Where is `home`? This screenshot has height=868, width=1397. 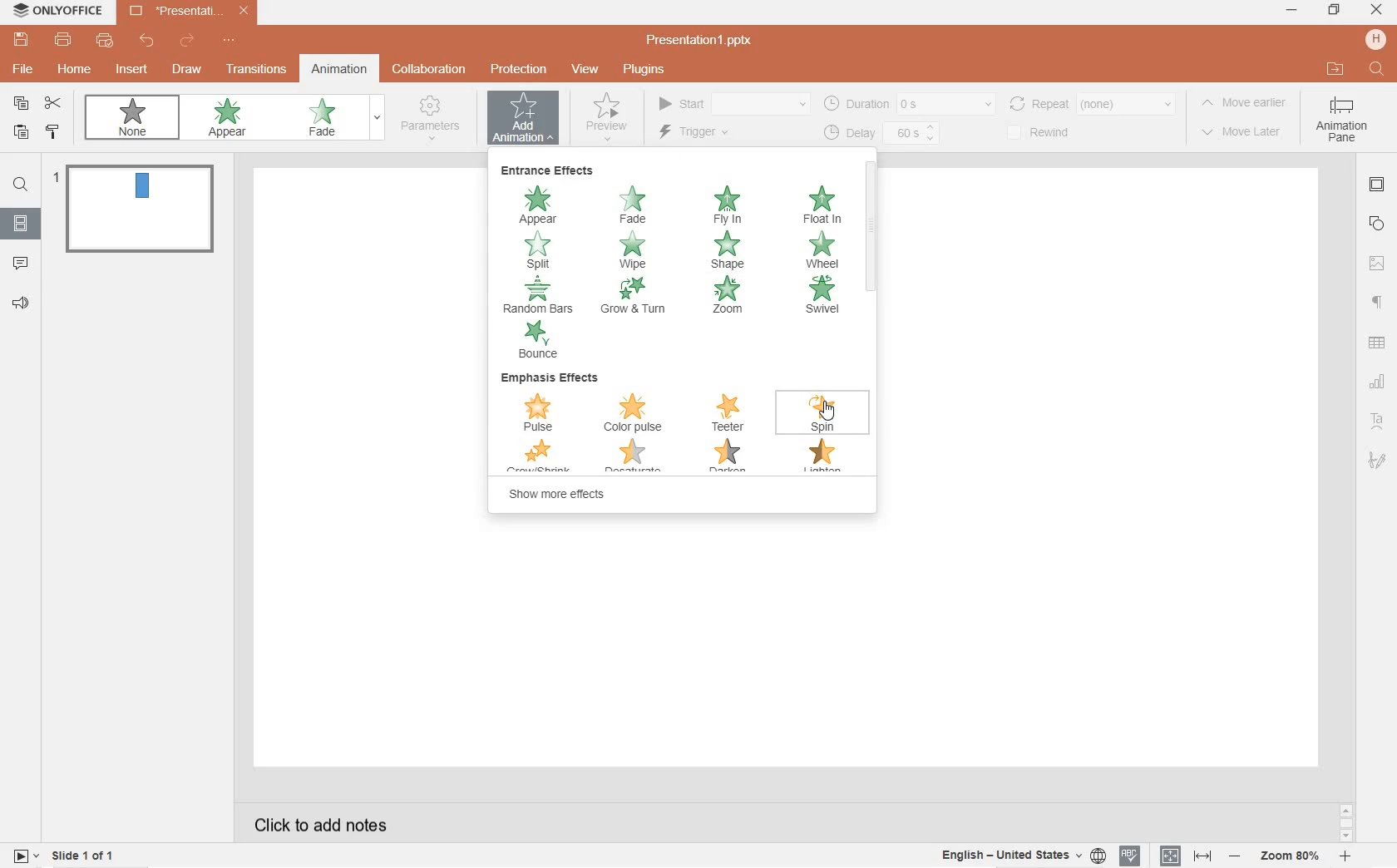 home is located at coordinates (74, 69).